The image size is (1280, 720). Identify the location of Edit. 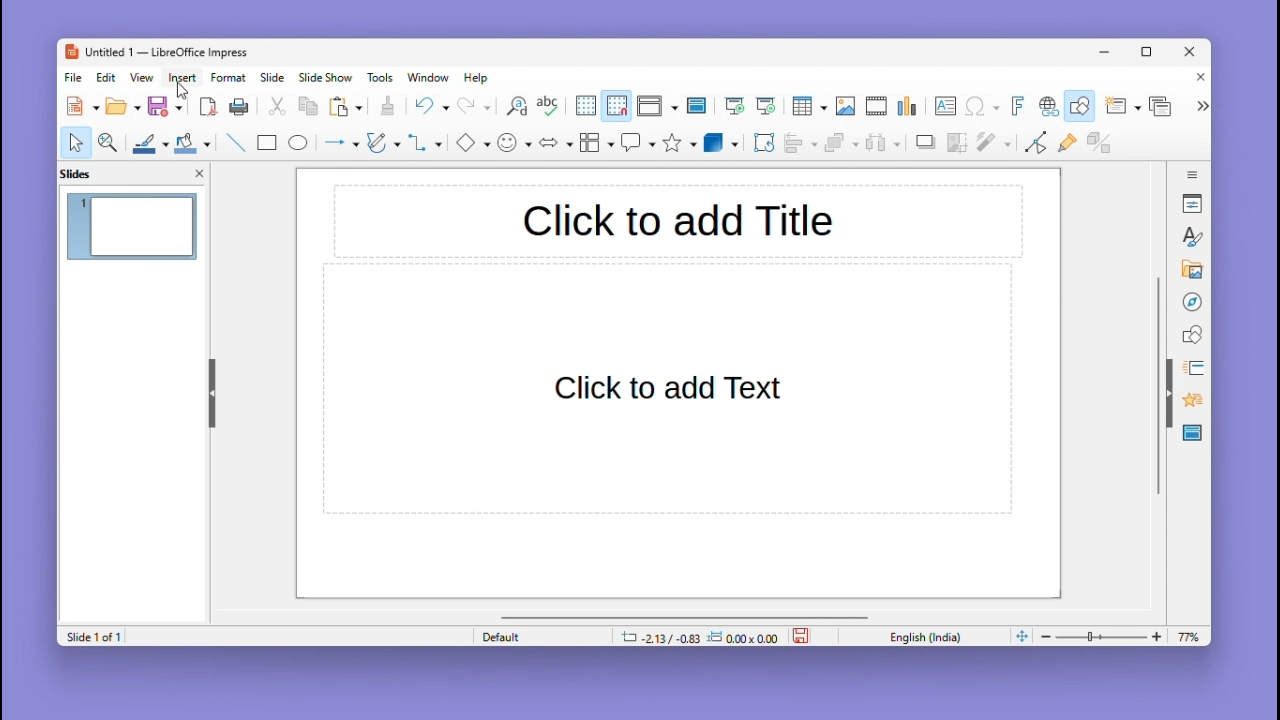
(108, 77).